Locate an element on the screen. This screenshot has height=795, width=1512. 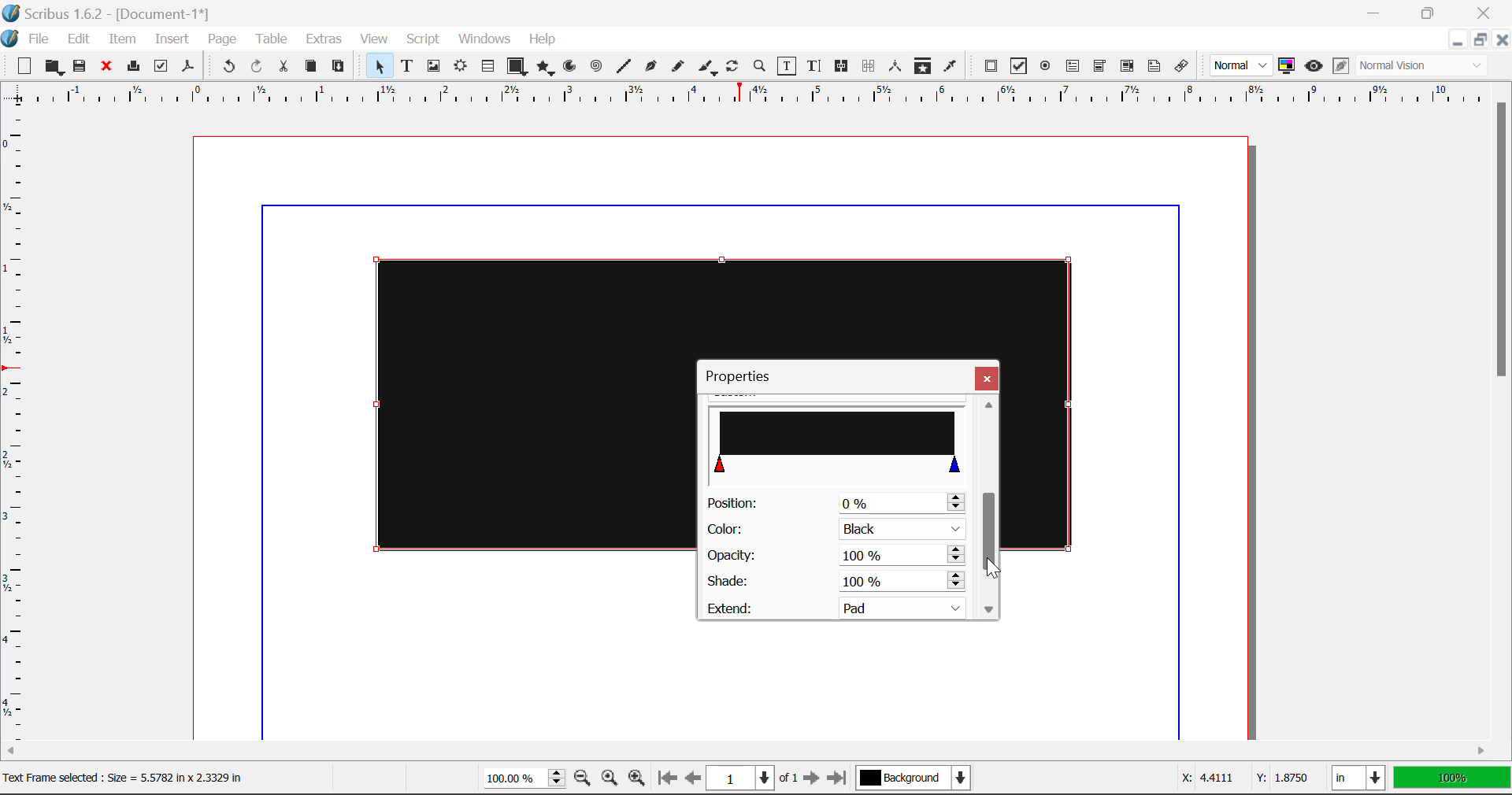
Vertical Page Margins is located at coordinates (755, 99).